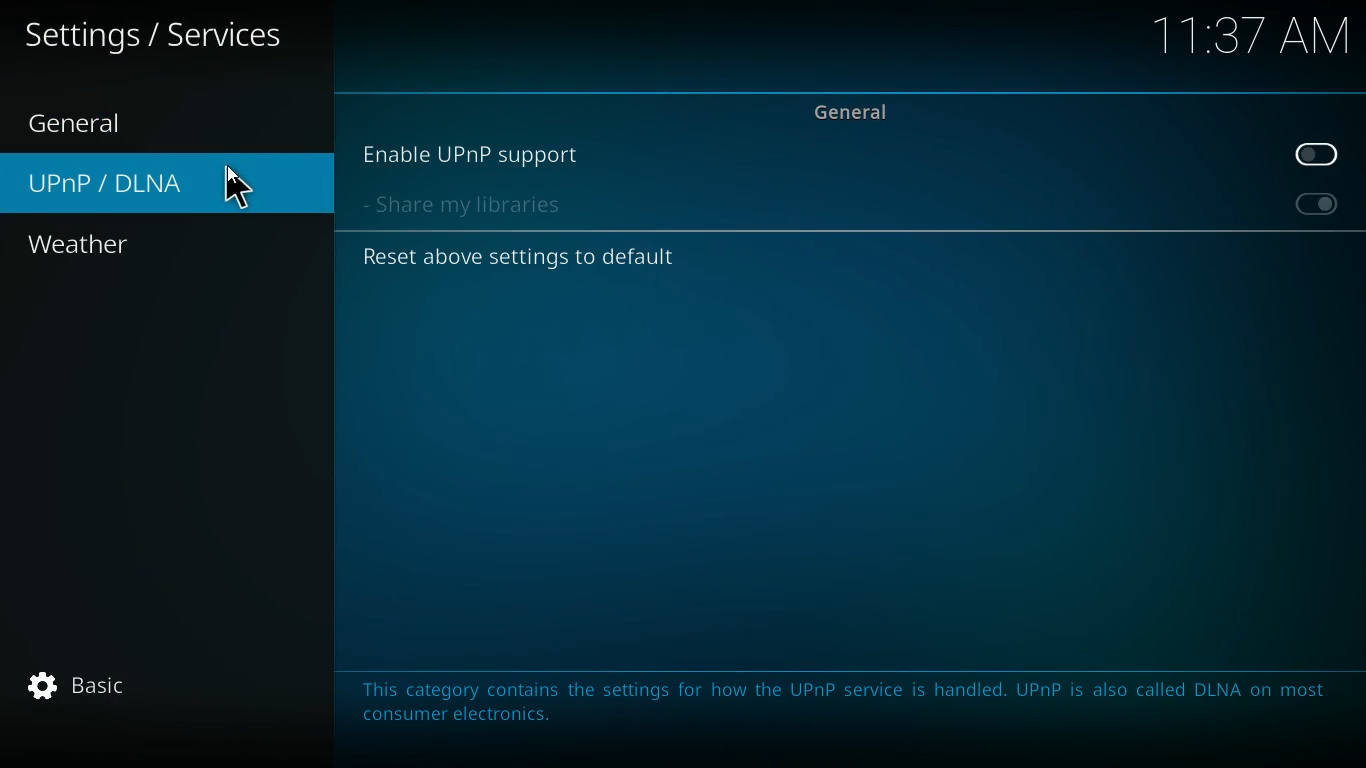 This screenshot has width=1366, height=768. What do you see at coordinates (101, 122) in the screenshot?
I see `general` at bounding box center [101, 122].